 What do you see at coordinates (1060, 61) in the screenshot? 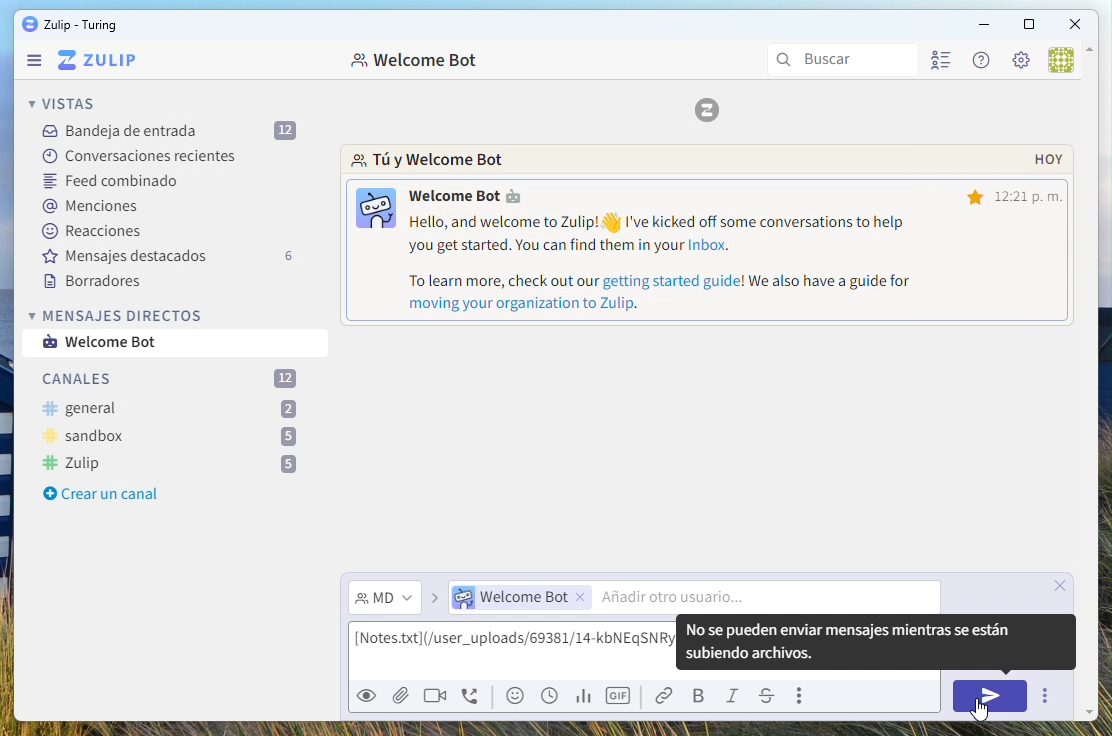
I see `User` at bounding box center [1060, 61].